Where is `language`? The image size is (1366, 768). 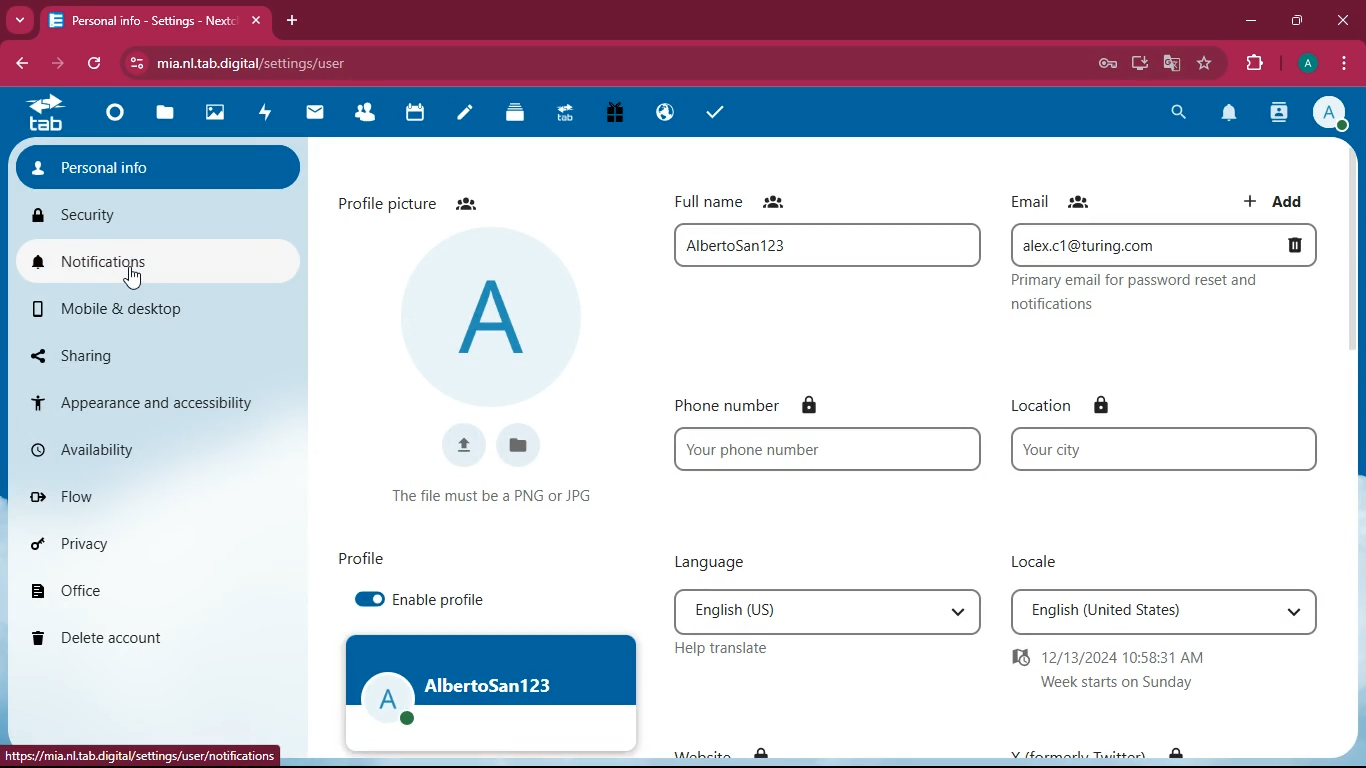 language is located at coordinates (714, 562).